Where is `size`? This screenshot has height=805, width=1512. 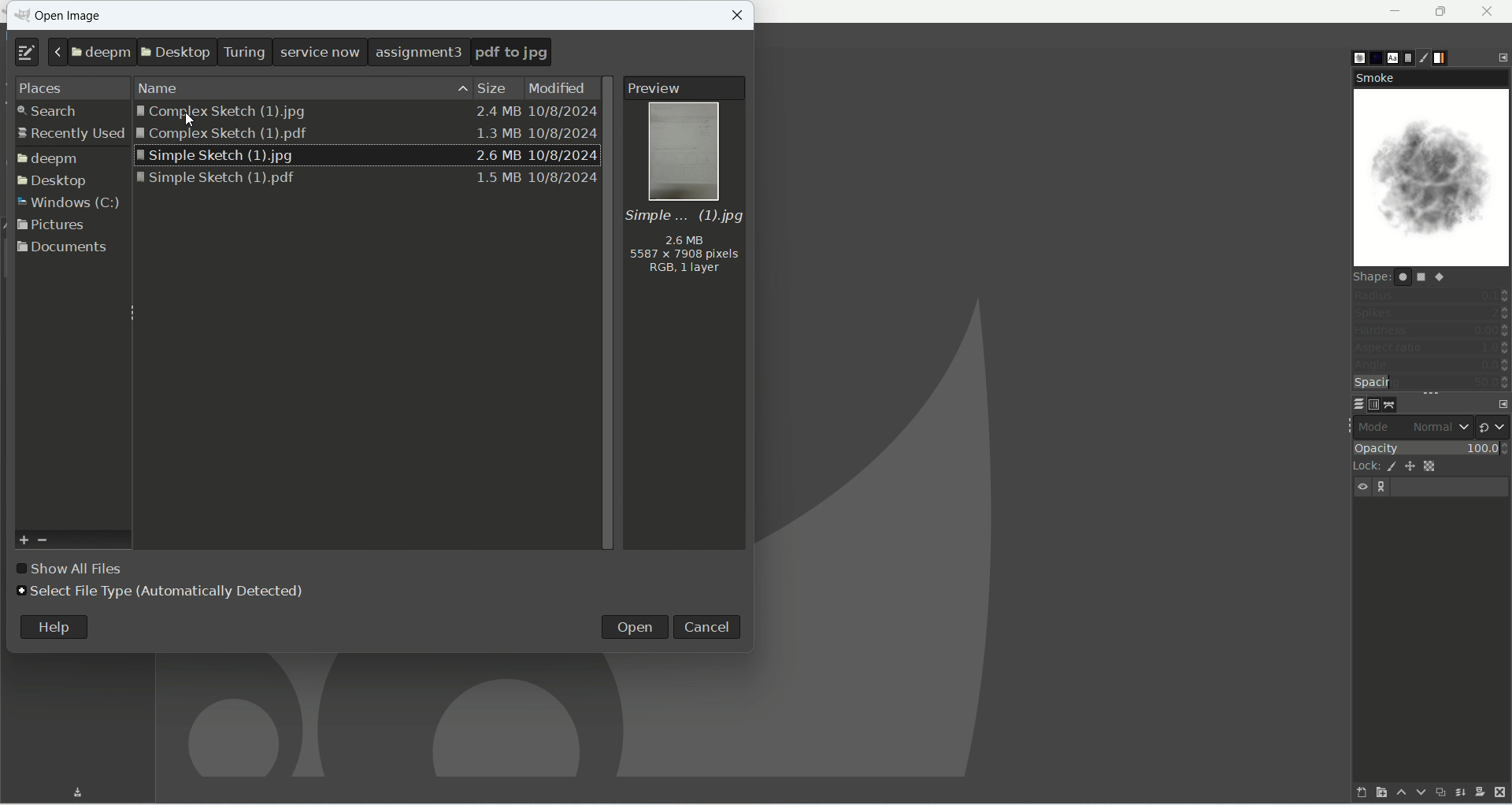
size is located at coordinates (485, 87).